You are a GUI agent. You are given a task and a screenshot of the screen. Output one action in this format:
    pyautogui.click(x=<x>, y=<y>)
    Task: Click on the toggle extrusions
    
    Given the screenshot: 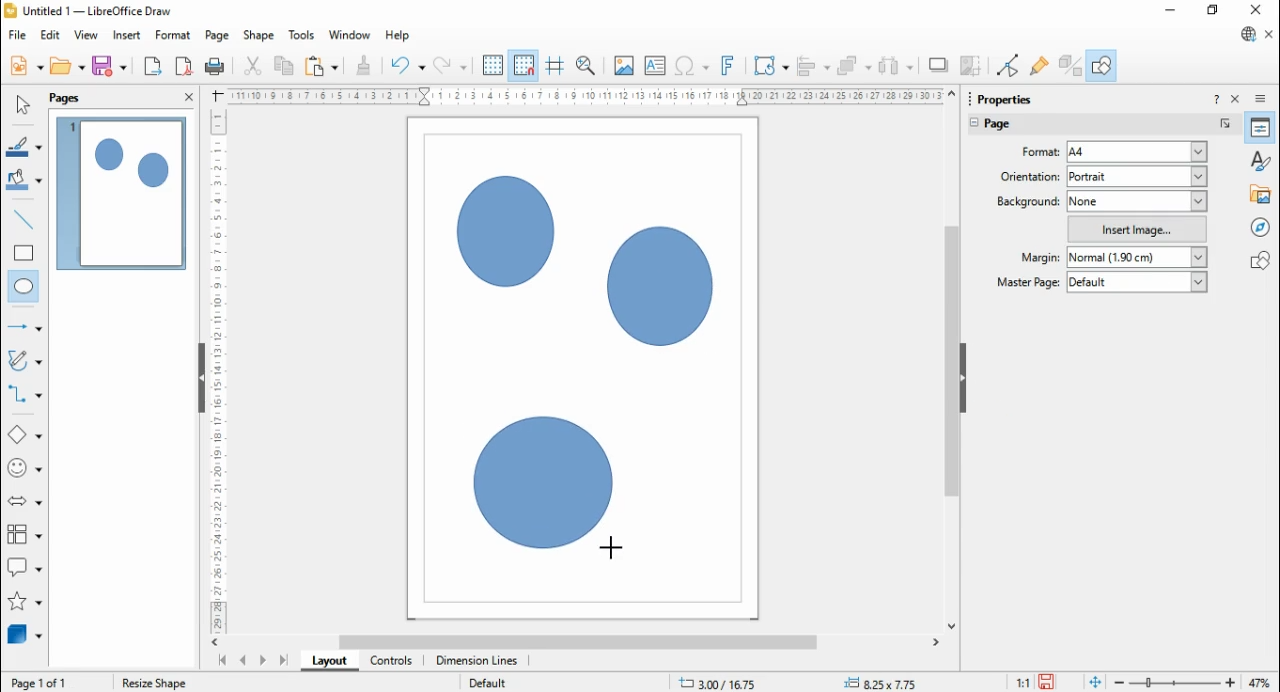 What is the action you would take?
    pyautogui.click(x=1070, y=65)
    